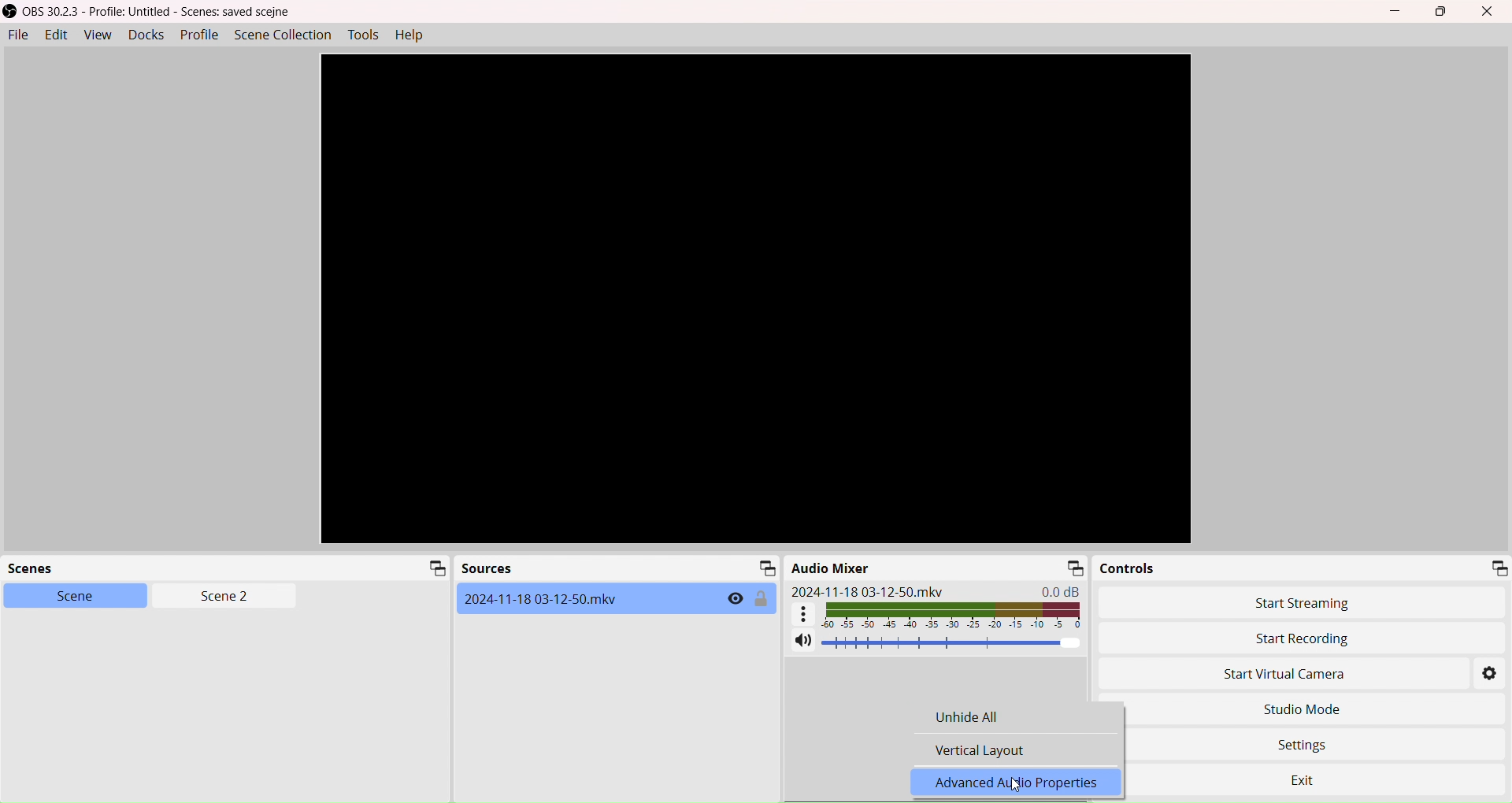 This screenshot has height=803, width=1512. What do you see at coordinates (95, 35) in the screenshot?
I see `View` at bounding box center [95, 35].